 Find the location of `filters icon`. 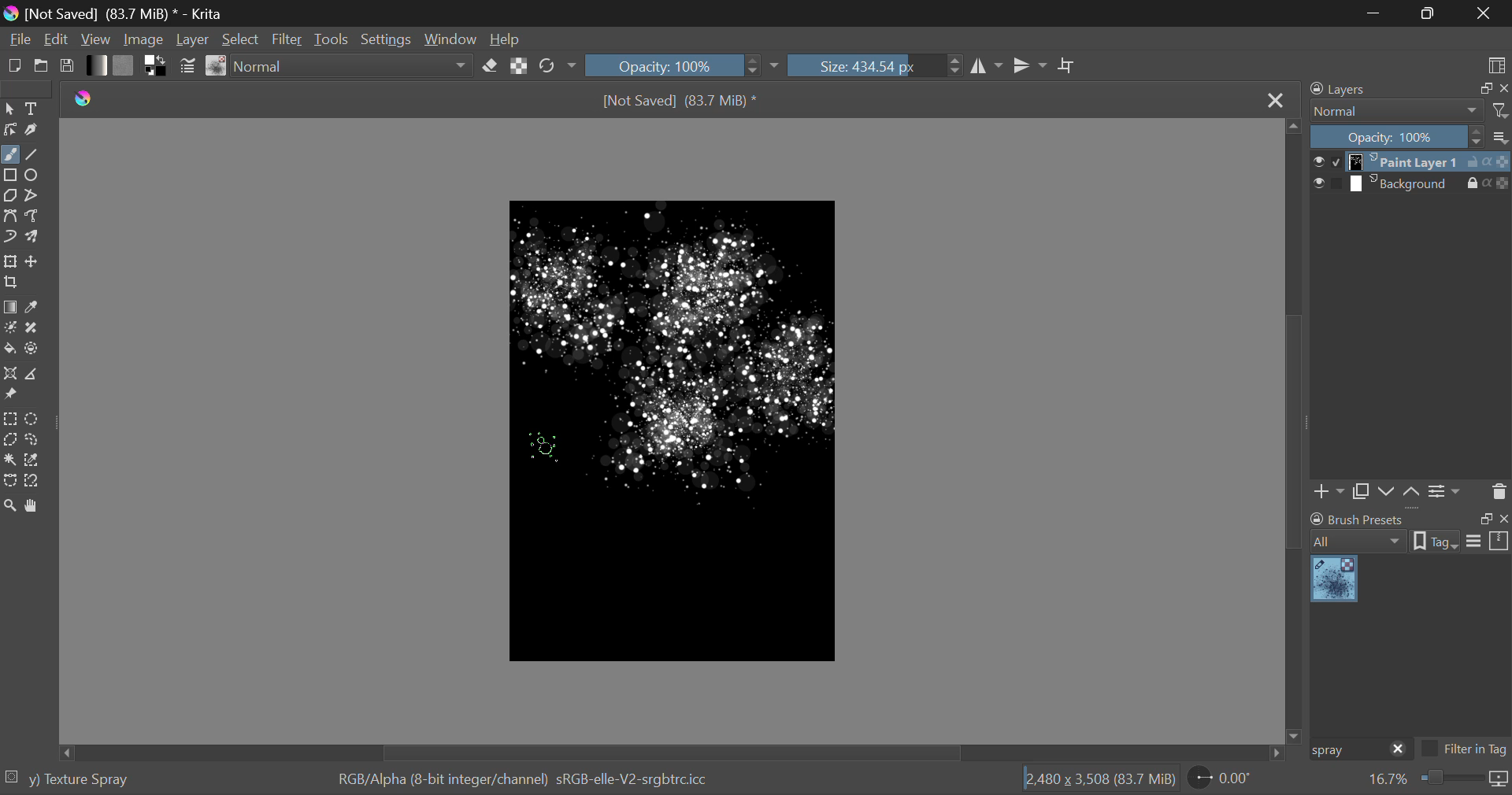

filters icon is located at coordinates (1501, 109).